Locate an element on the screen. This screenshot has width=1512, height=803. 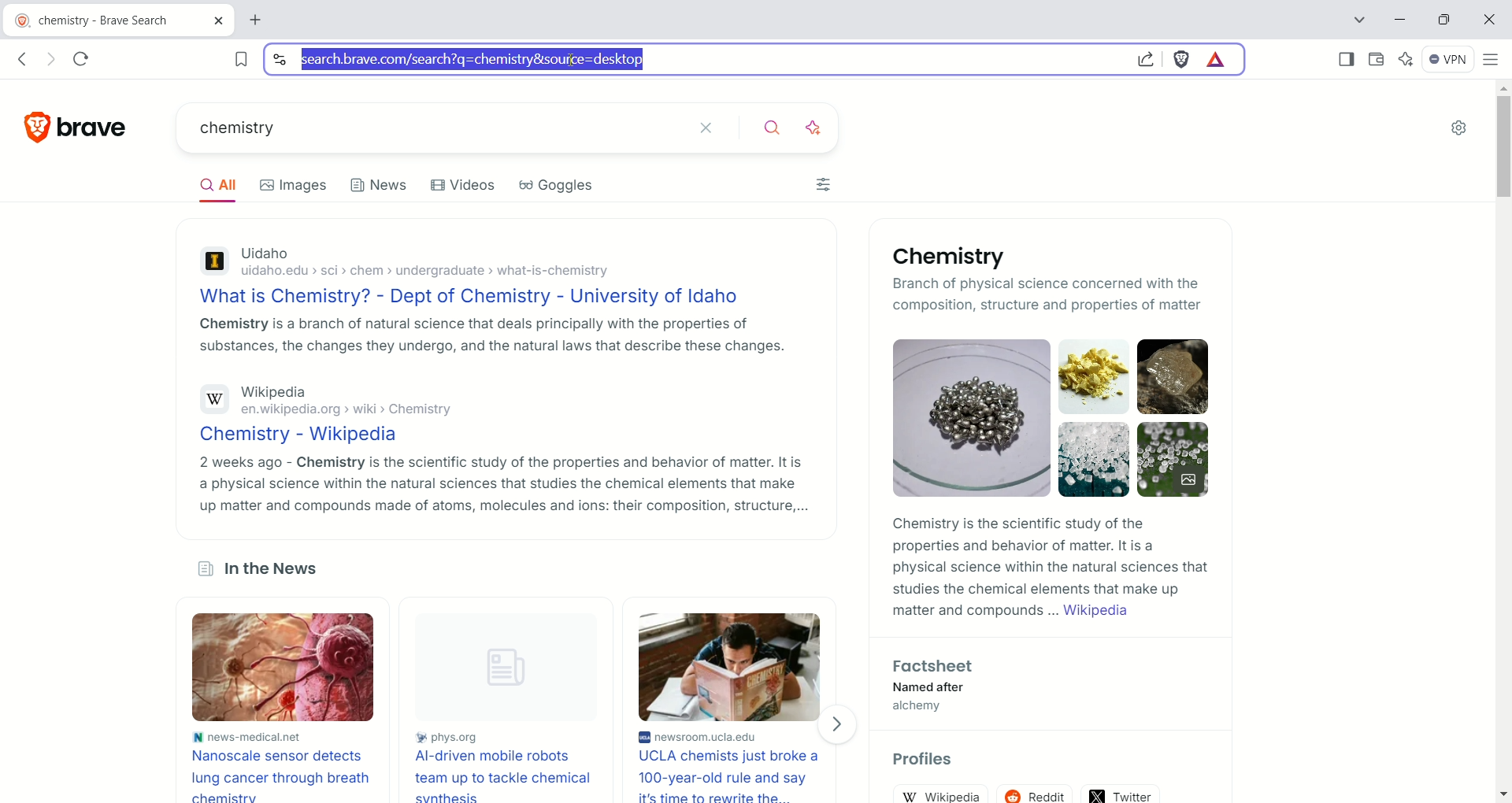
search is located at coordinates (778, 129).